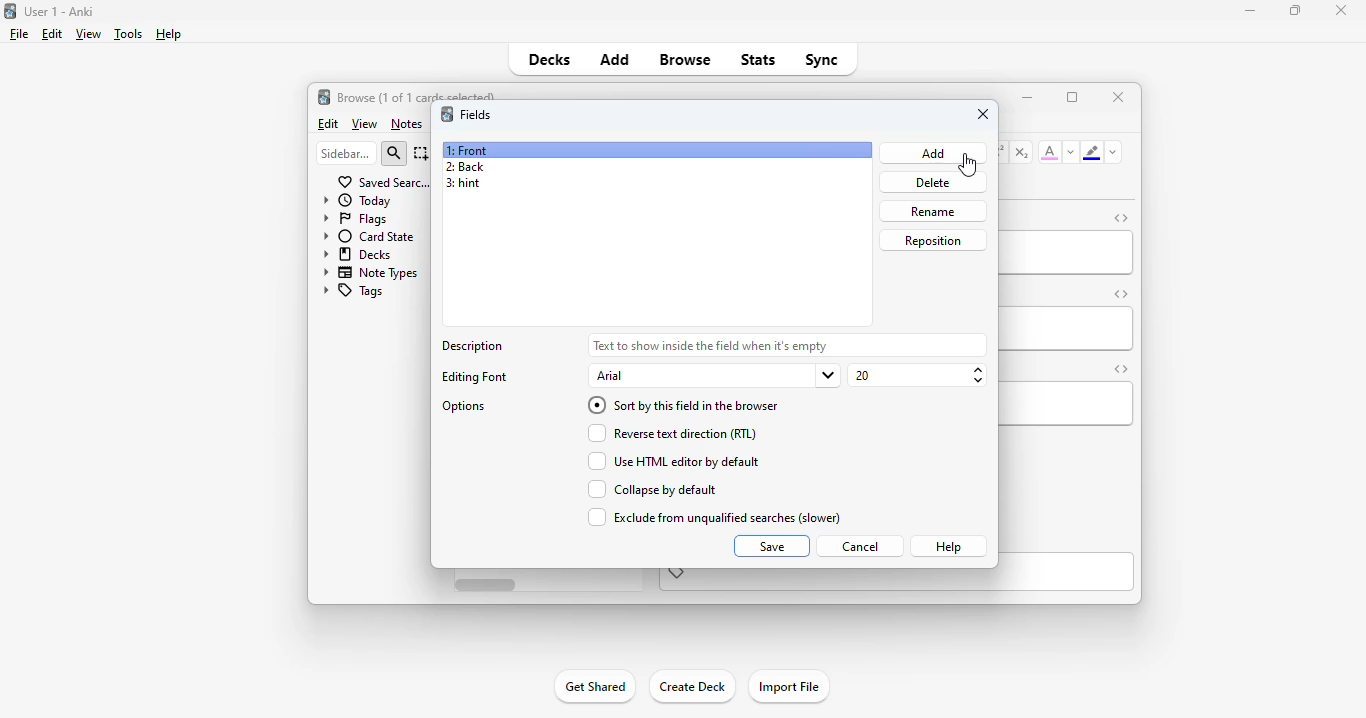 This screenshot has width=1366, height=718. Describe the element at coordinates (1021, 152) in the screenshot. I see `subscript` at that location.